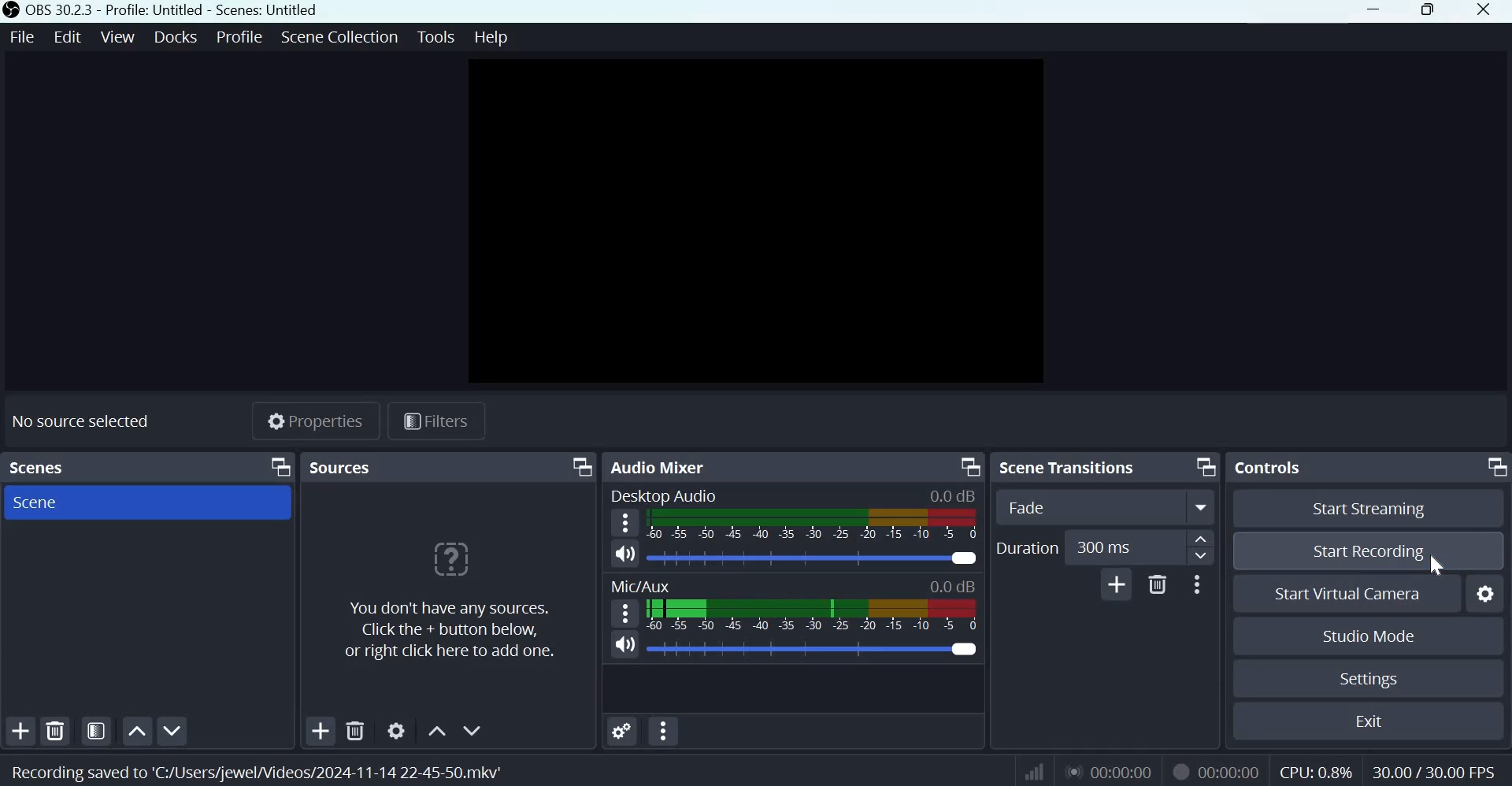 The height and width of the screenshot is (786, 1512). What do you see at coordinates (1425, 12) in the screenshot?
I see `Window size toggle` at bounding box center [1425, 12].